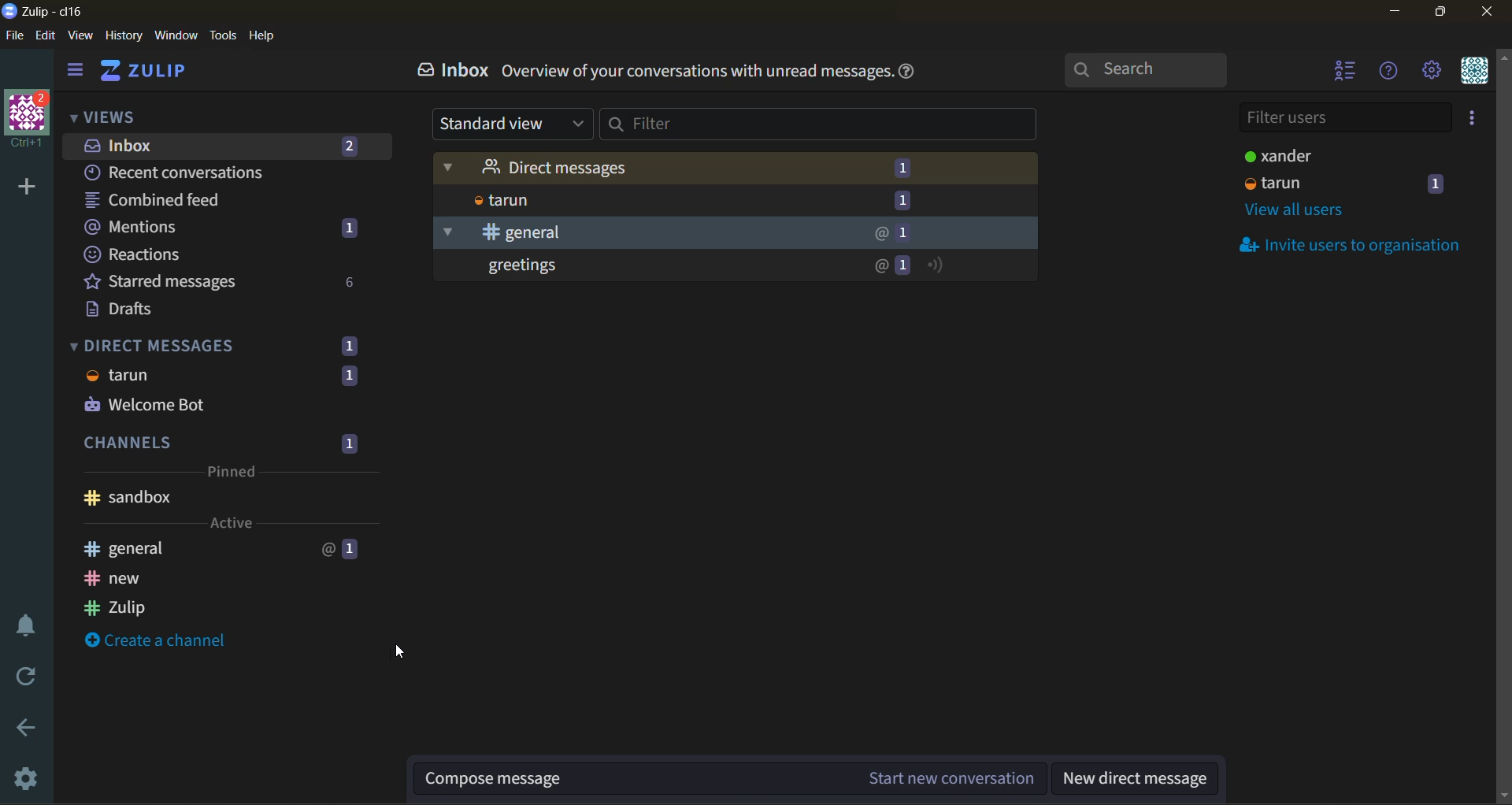  I want to click on filter users, so click(1343, 119).